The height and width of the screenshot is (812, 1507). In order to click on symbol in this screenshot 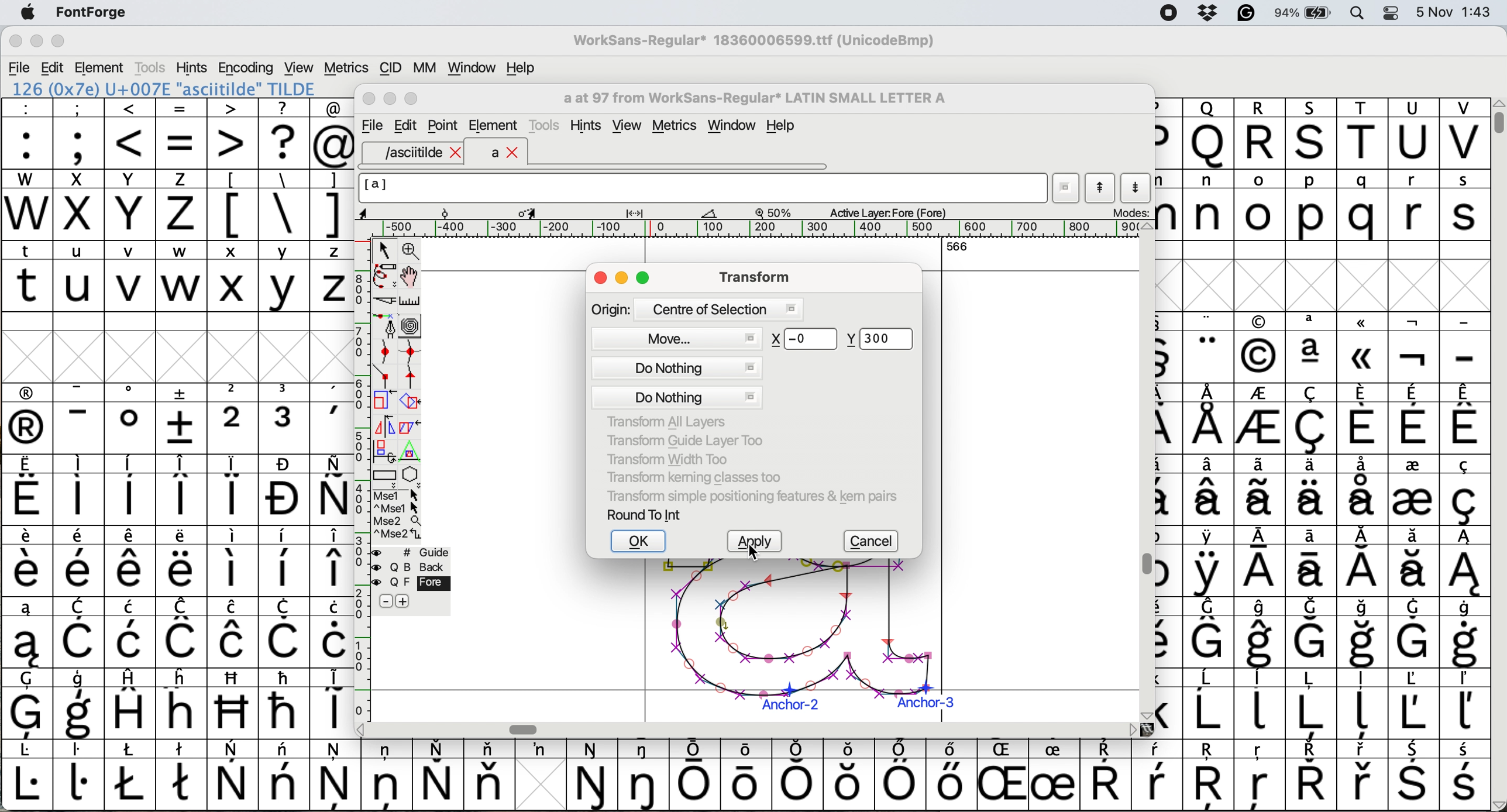, I will do `click(130, 775)`.